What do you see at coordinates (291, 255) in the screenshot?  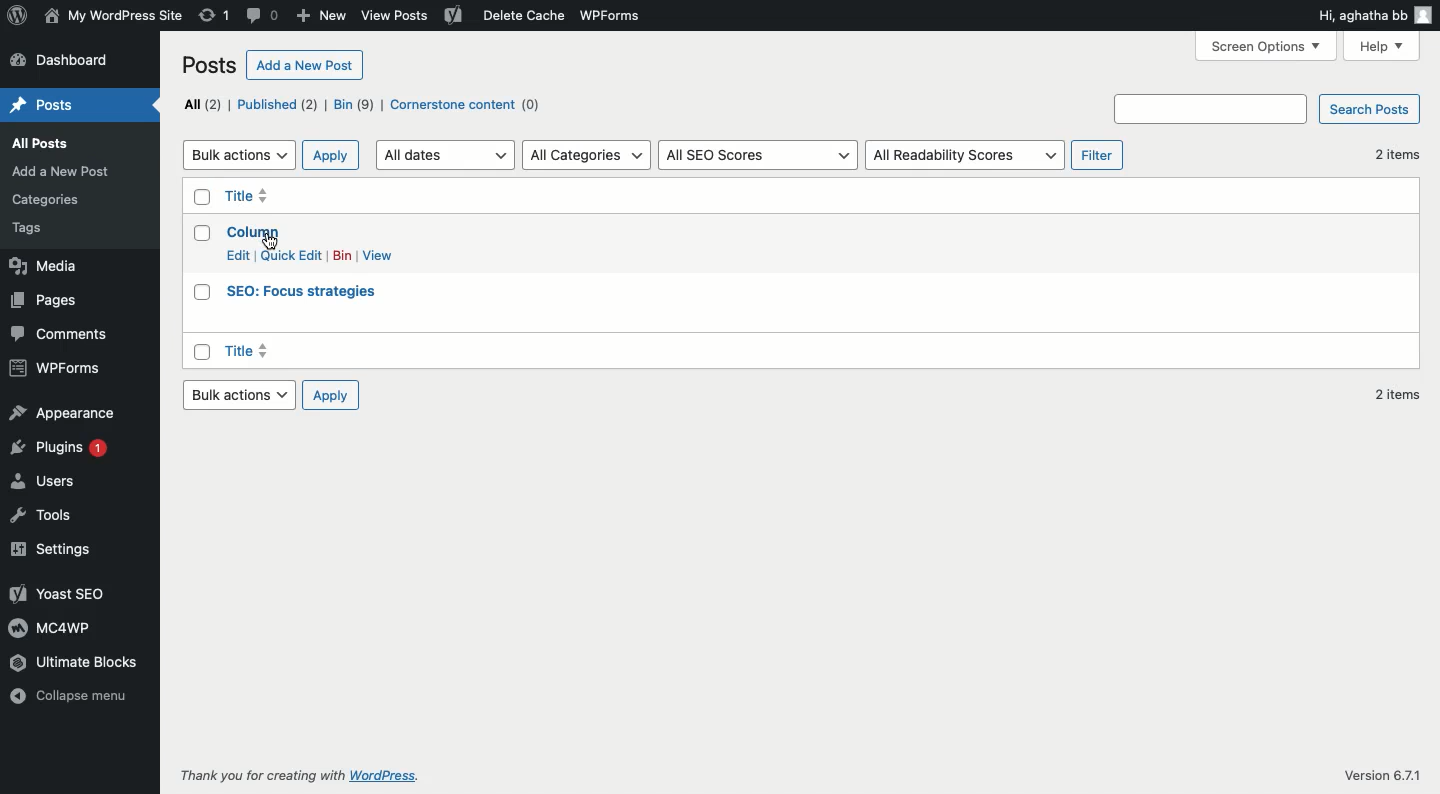 I see `Quick edit` at bounding box center [291, 255].